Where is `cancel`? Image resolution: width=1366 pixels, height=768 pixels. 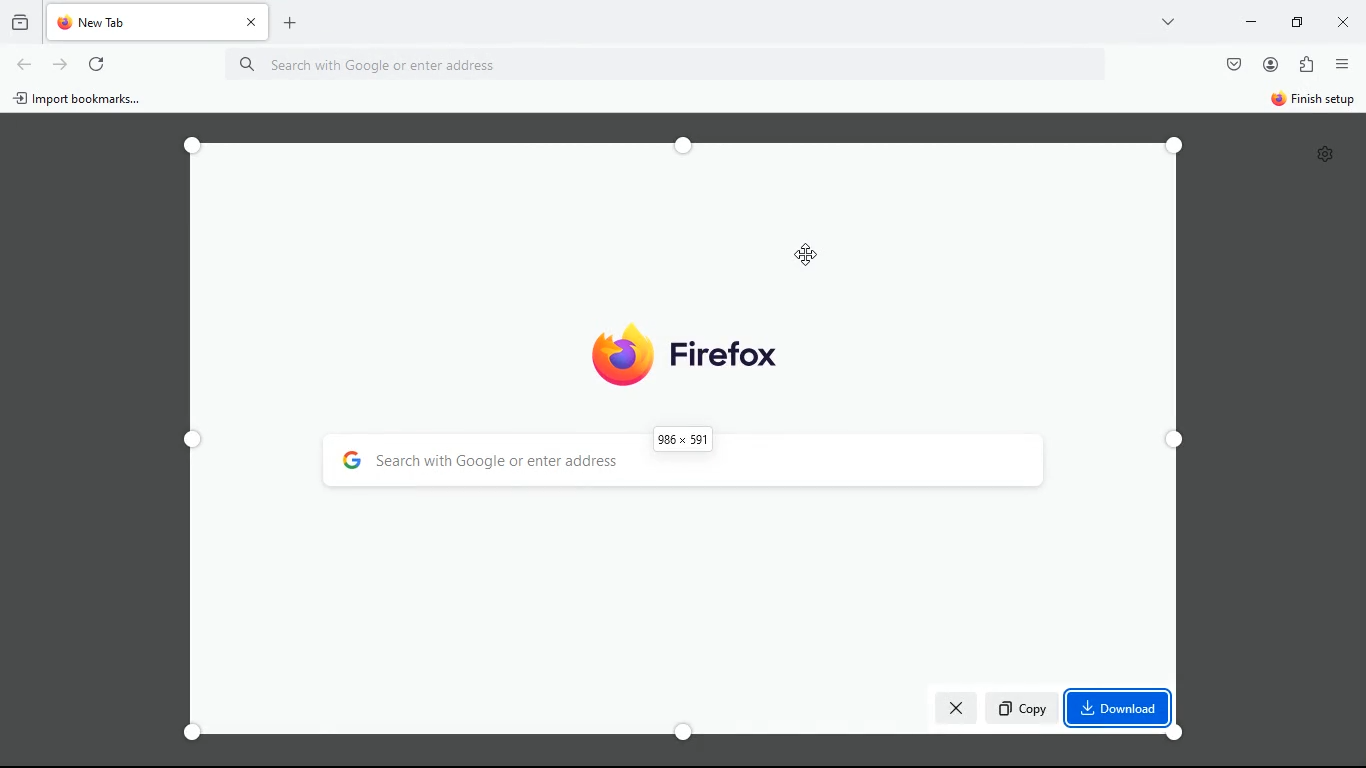 cancel is located at coordinates (955, 706).